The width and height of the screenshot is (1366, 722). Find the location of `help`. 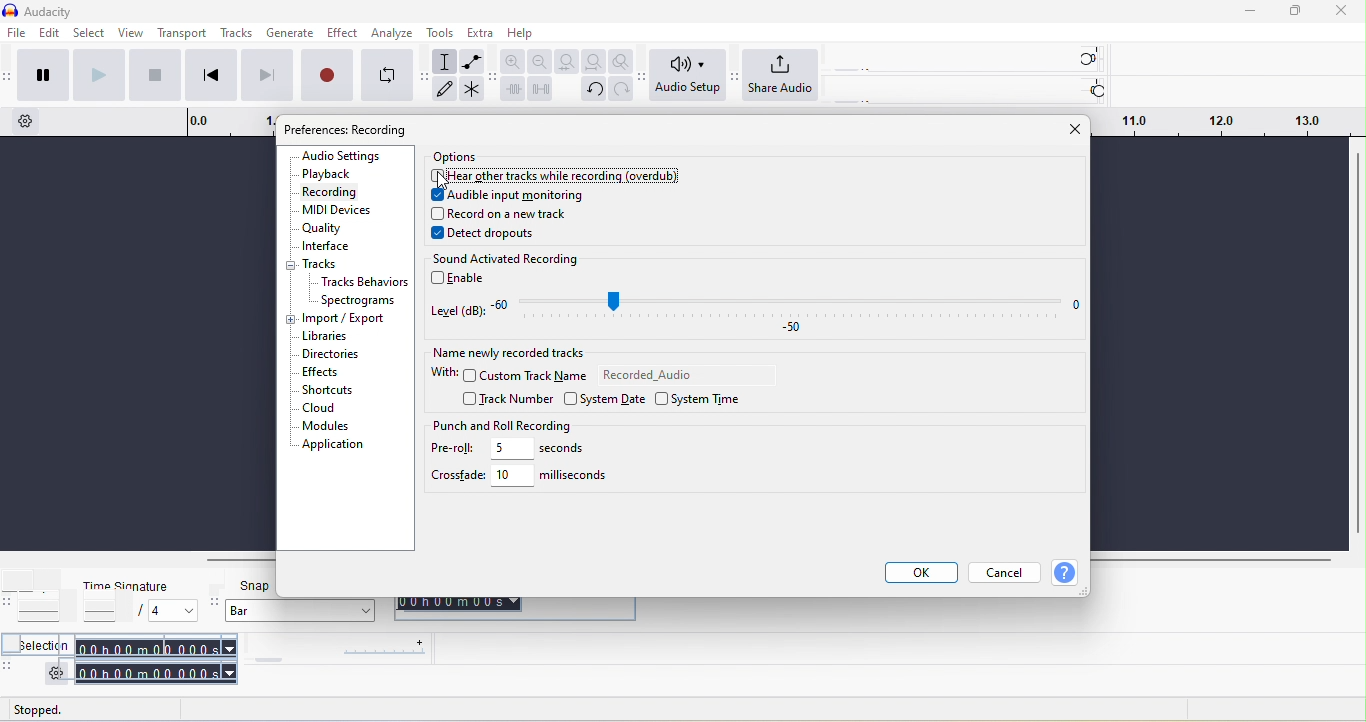

help is located at coordinates (1063, 572).